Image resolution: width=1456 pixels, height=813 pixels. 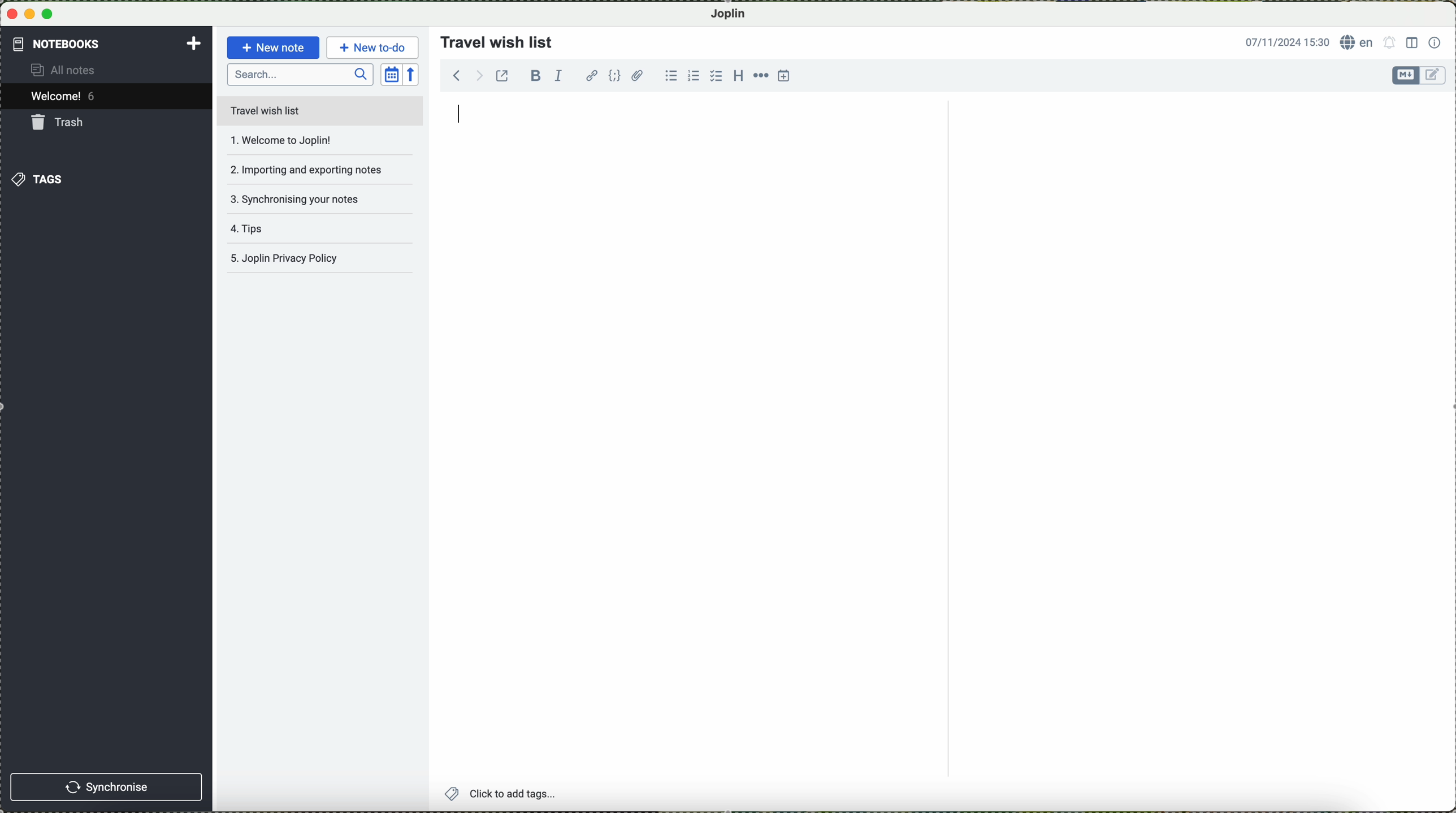 What do you see at coordinates (108, 786) in the screenshot?
I see `synchronise button` at bounding box center [108, 786].